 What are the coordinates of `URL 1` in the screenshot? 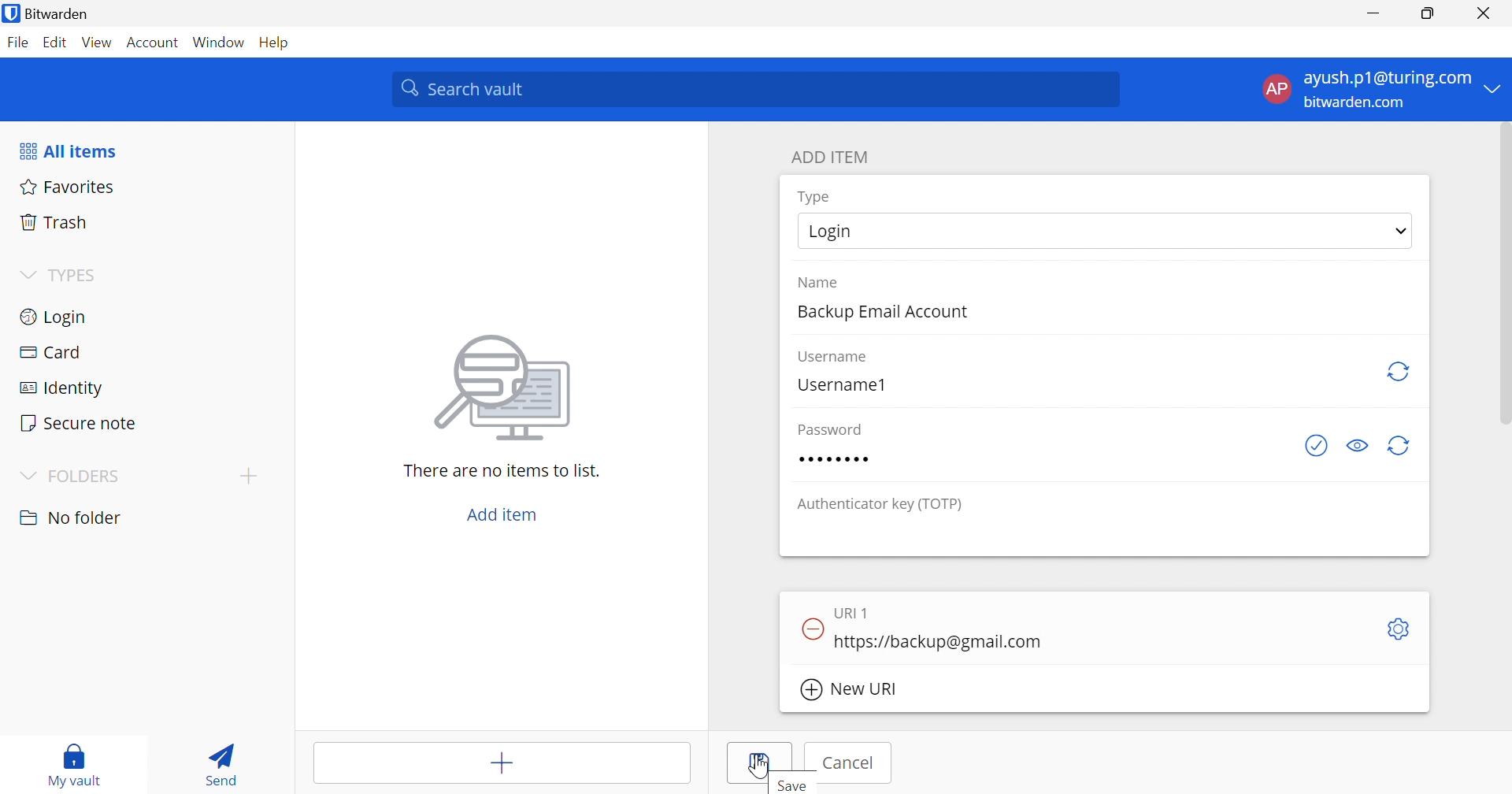 It's located at (853, 613).